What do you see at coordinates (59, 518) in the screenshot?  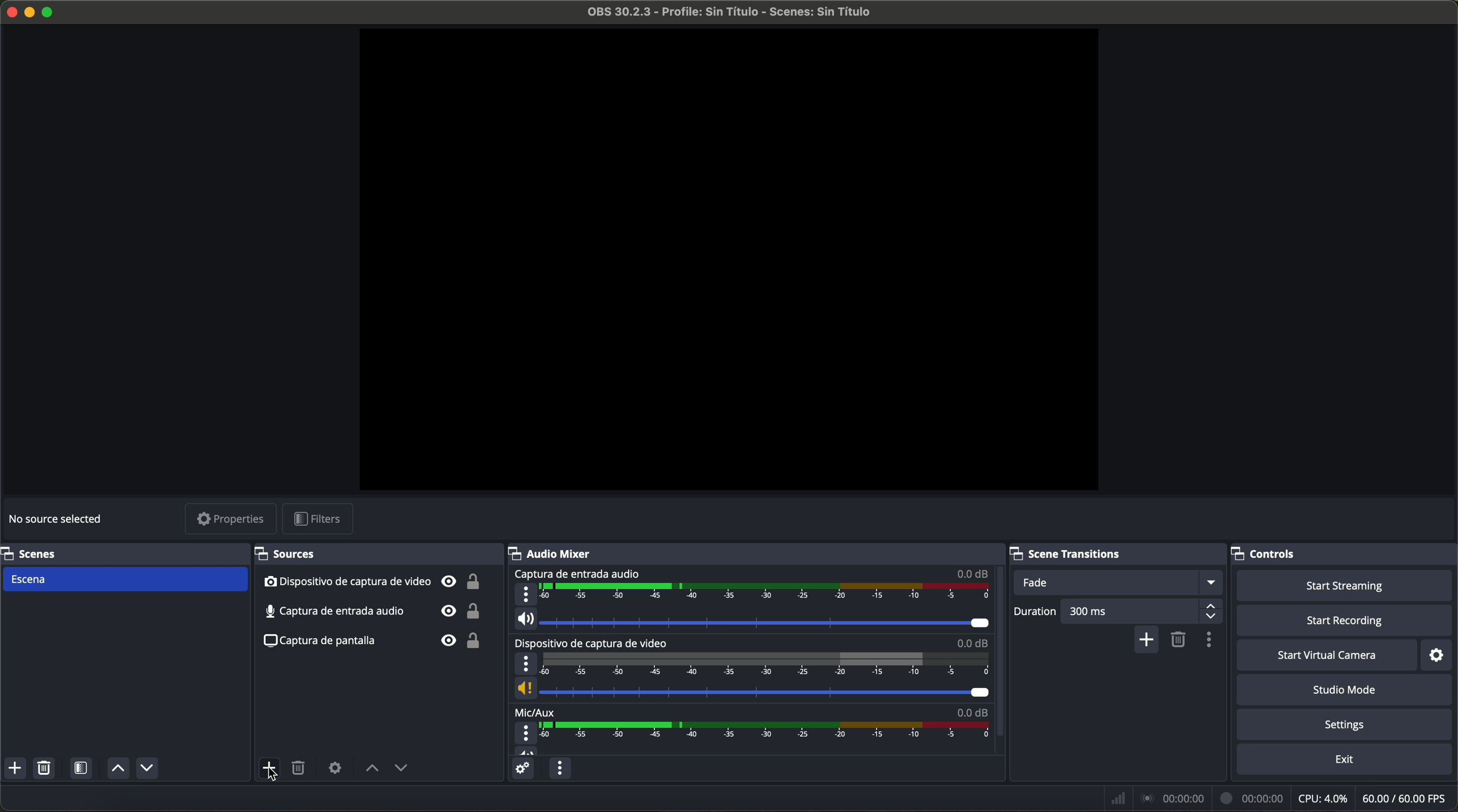 I see `no source selected` at bounding box center [59, 518].